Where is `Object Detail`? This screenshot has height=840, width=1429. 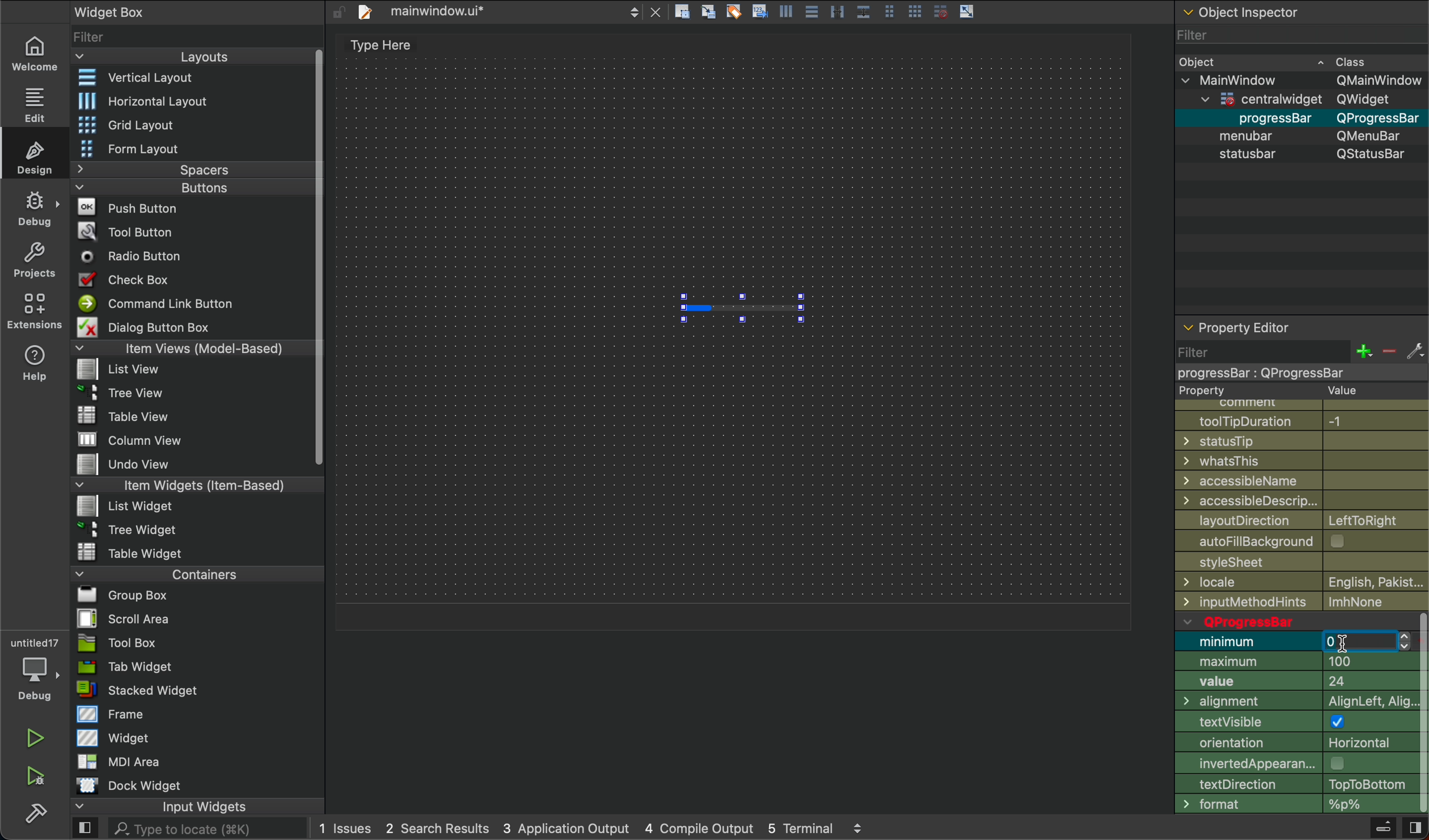 Object Detail is located at coordinates (1300, 107).